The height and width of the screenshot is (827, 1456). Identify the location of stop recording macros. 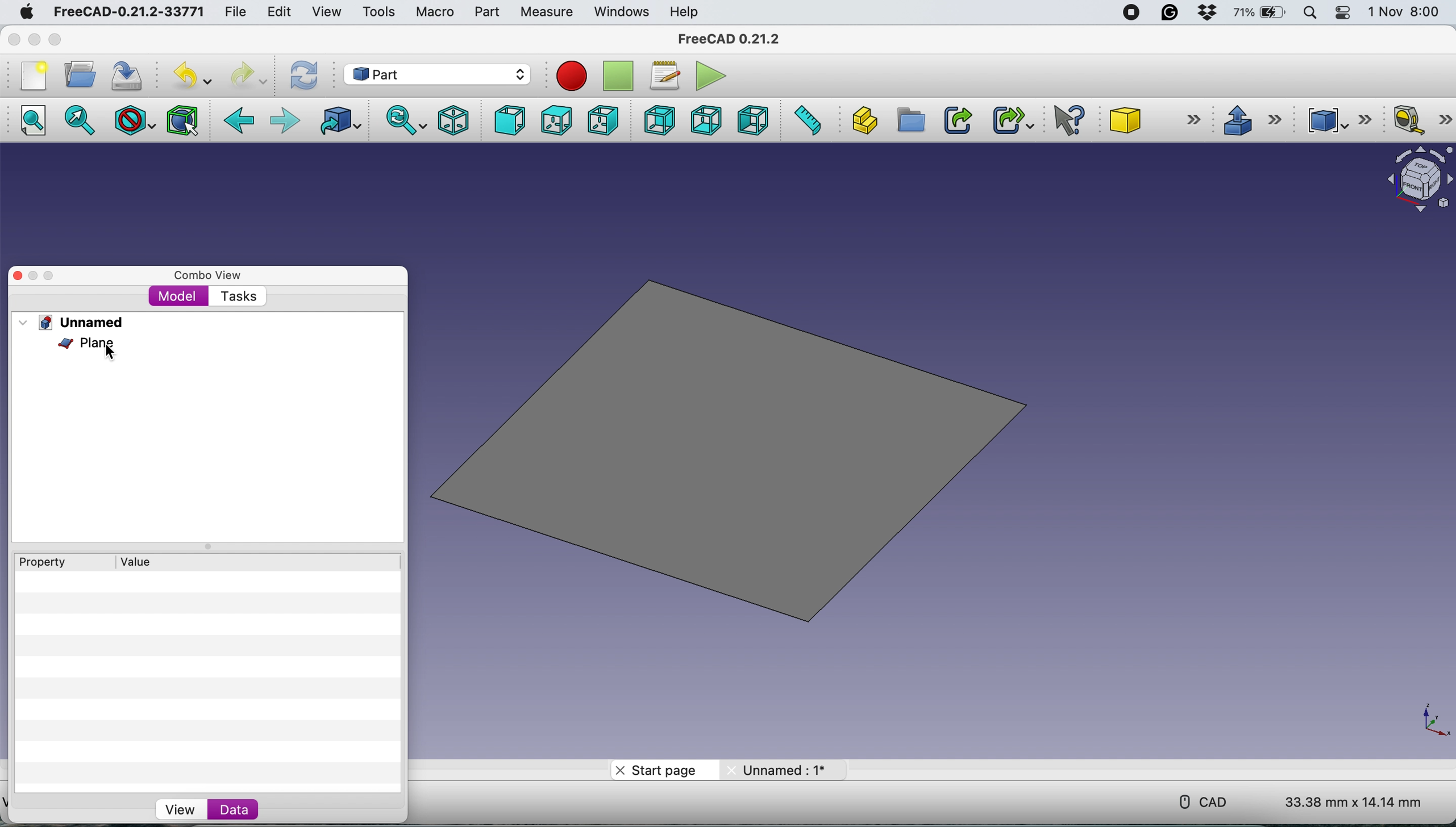
(618, 76).